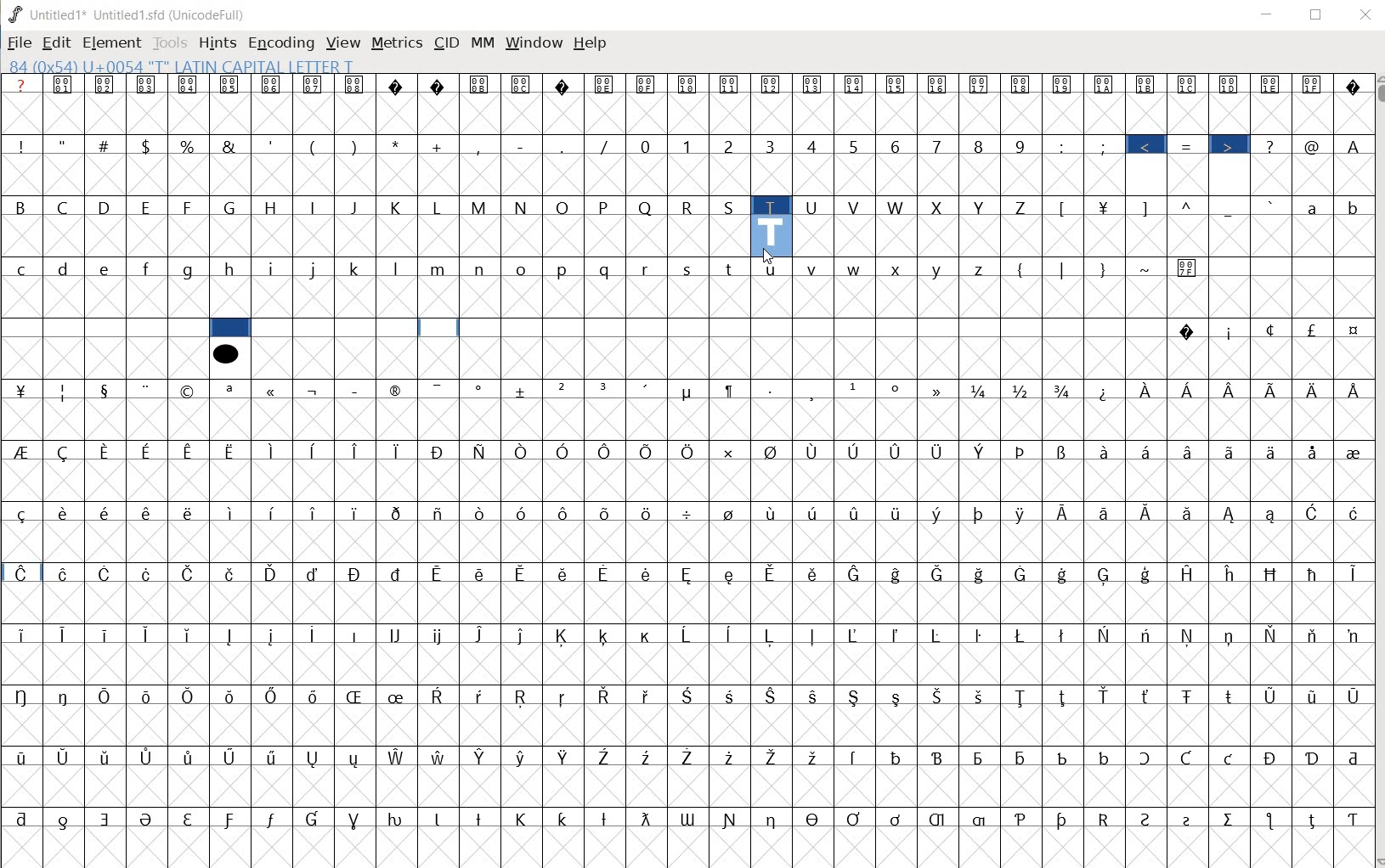 Image resolution: width=1385 pixels, height=868 pixels. Describe the element at coordinates (856, 756) in the screenshot. I see `Symbol` at that location.